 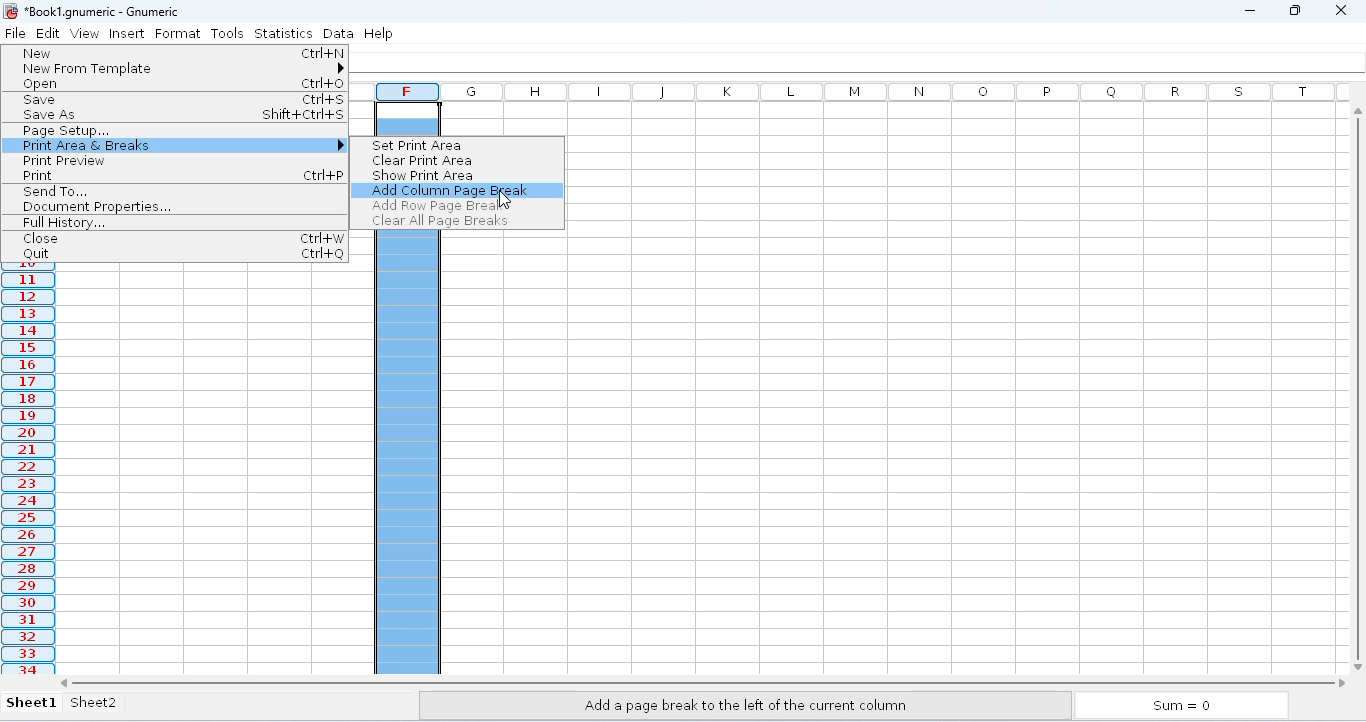 I want to click on sheet1, so click(x=33, y=703).